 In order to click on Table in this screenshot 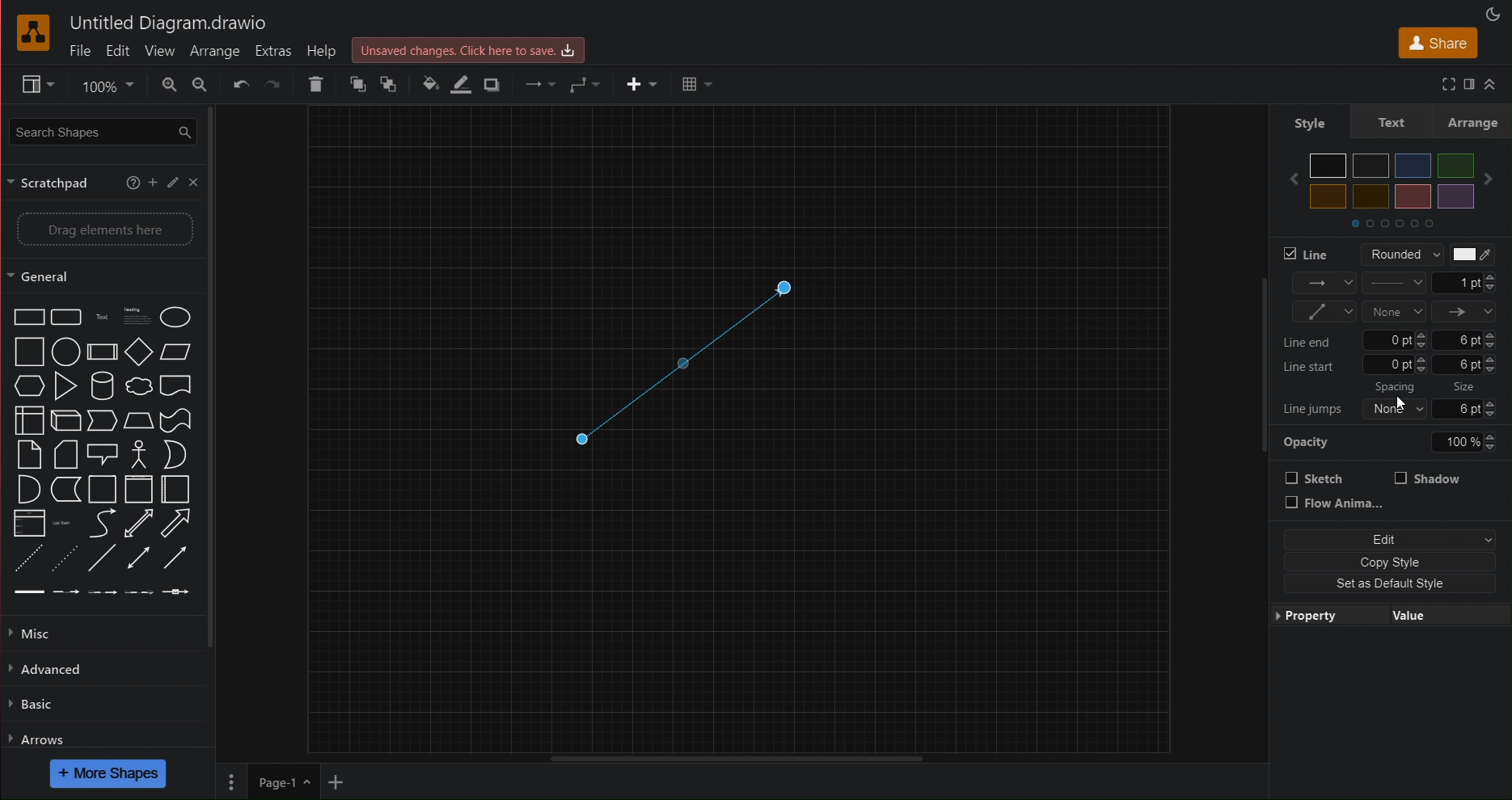, I will do `click(695, 85)`.